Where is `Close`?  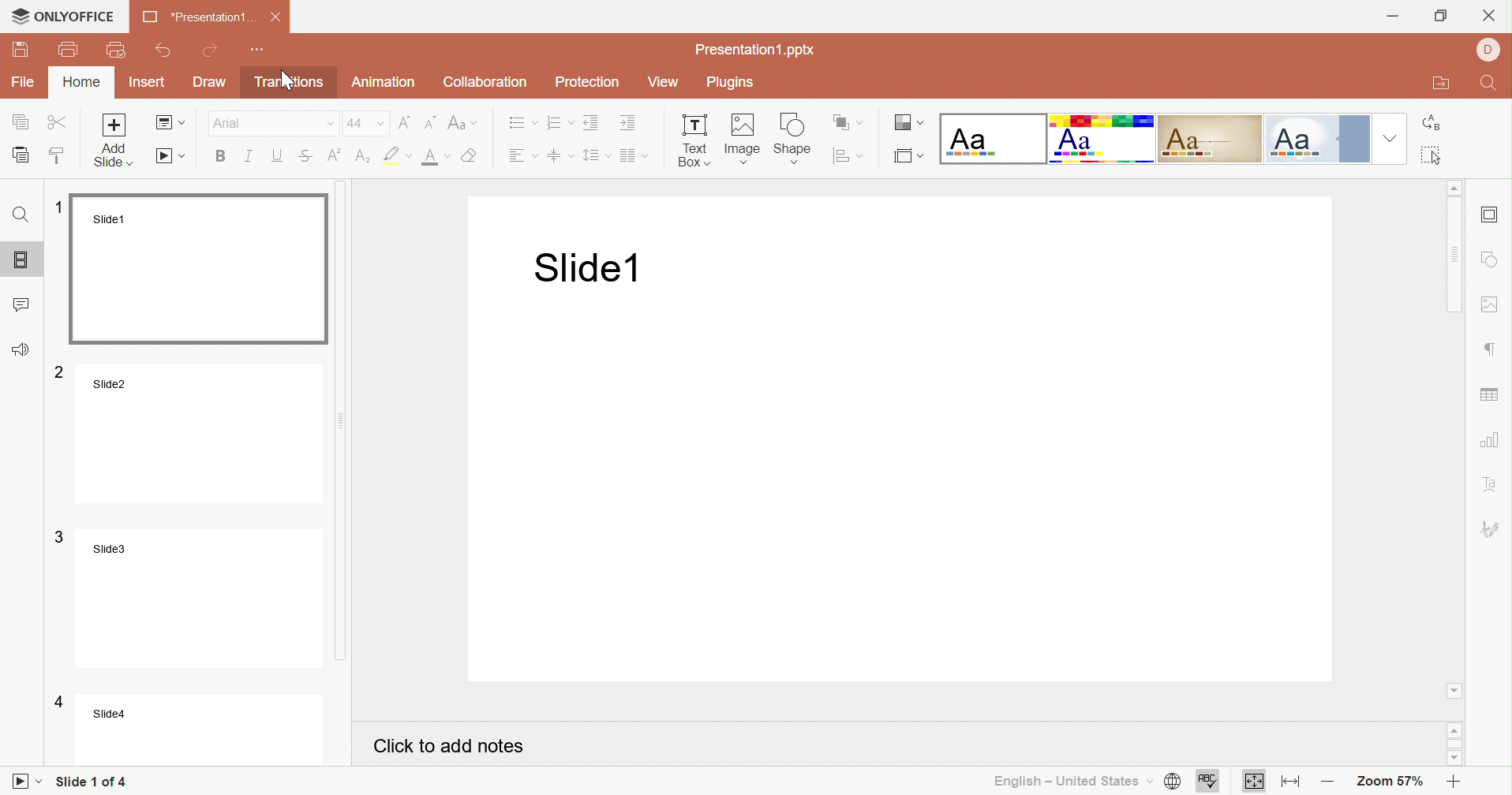
Close is located at coordinates (275, 17).